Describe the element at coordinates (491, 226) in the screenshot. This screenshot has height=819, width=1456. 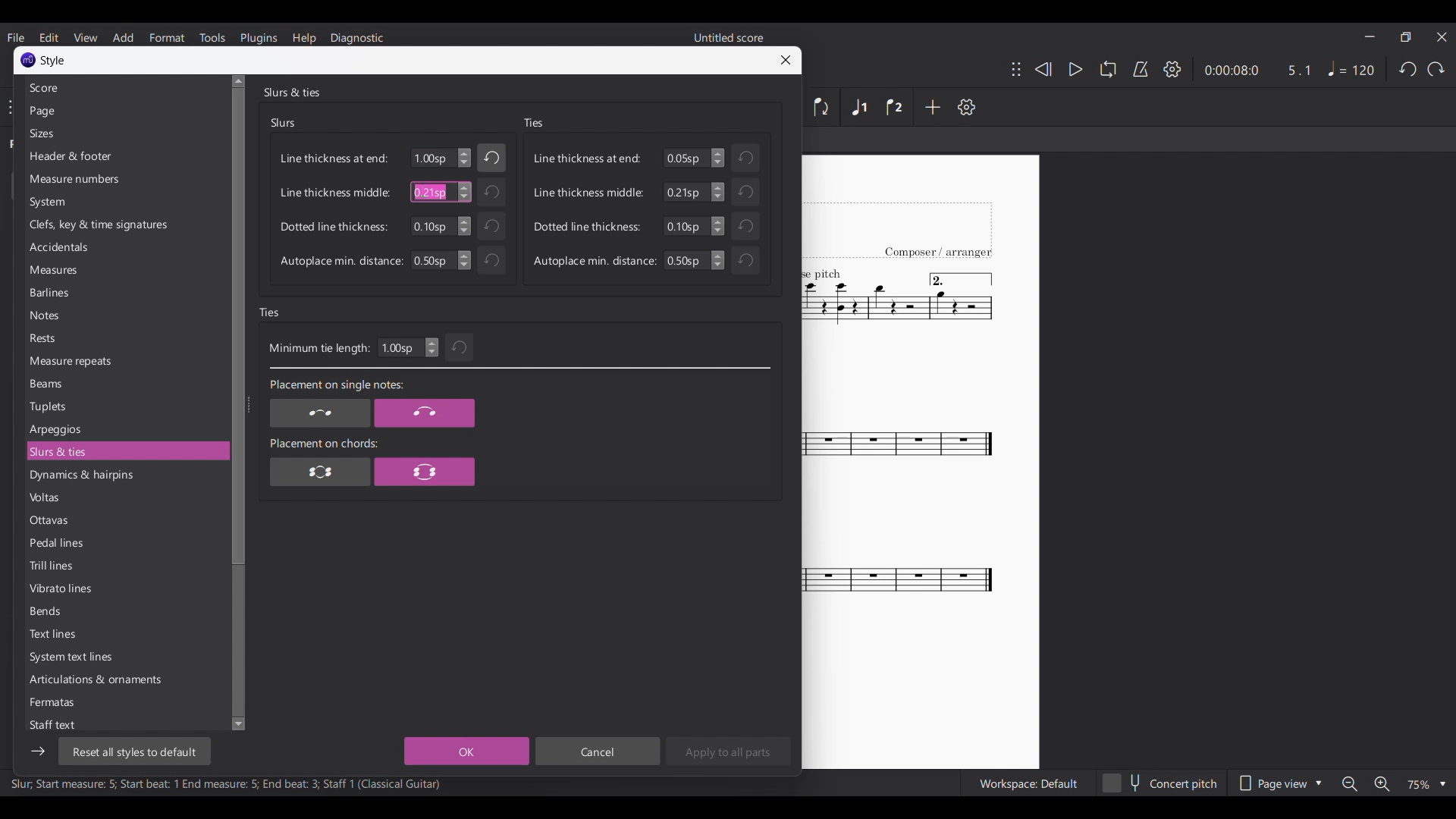
I see `Undo` at that location.